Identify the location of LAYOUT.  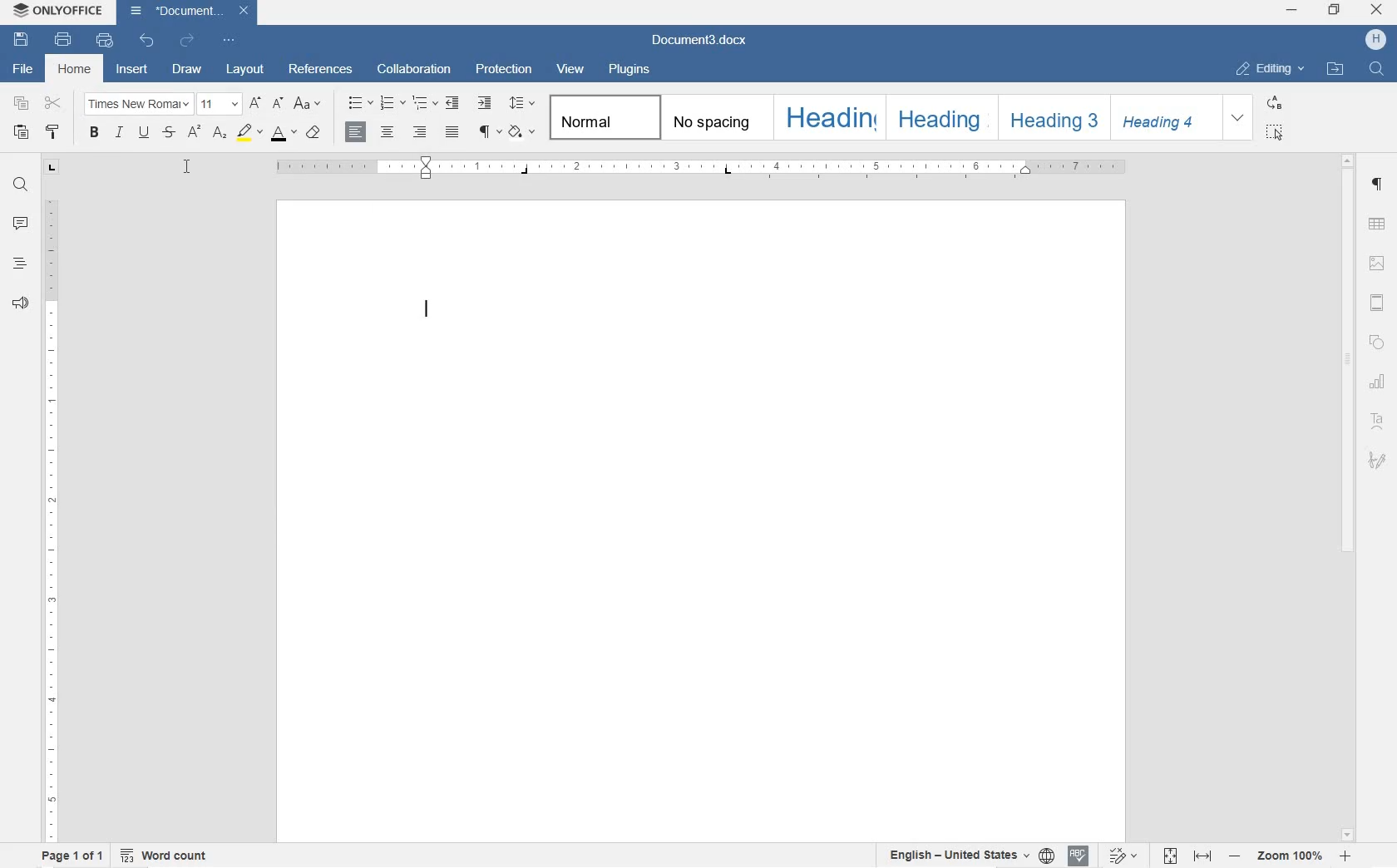
(246, 70).